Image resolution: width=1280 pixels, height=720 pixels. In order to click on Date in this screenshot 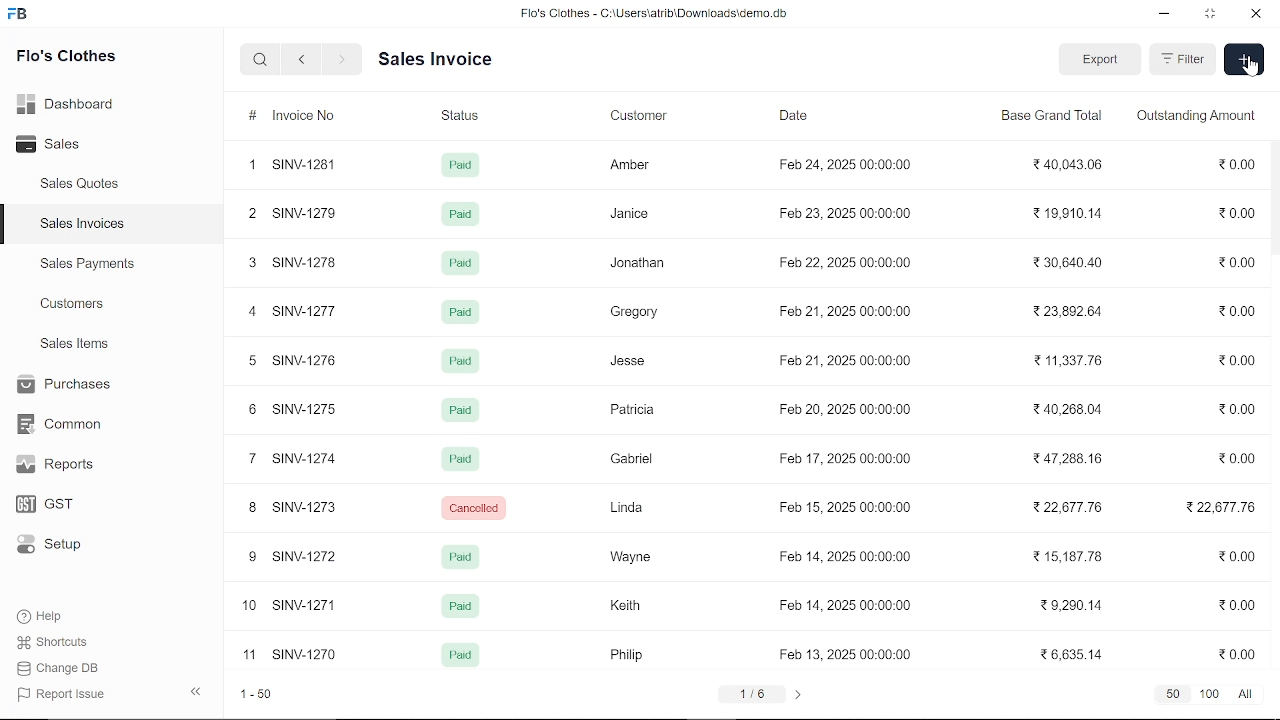, I will do `click(796, 115)`.